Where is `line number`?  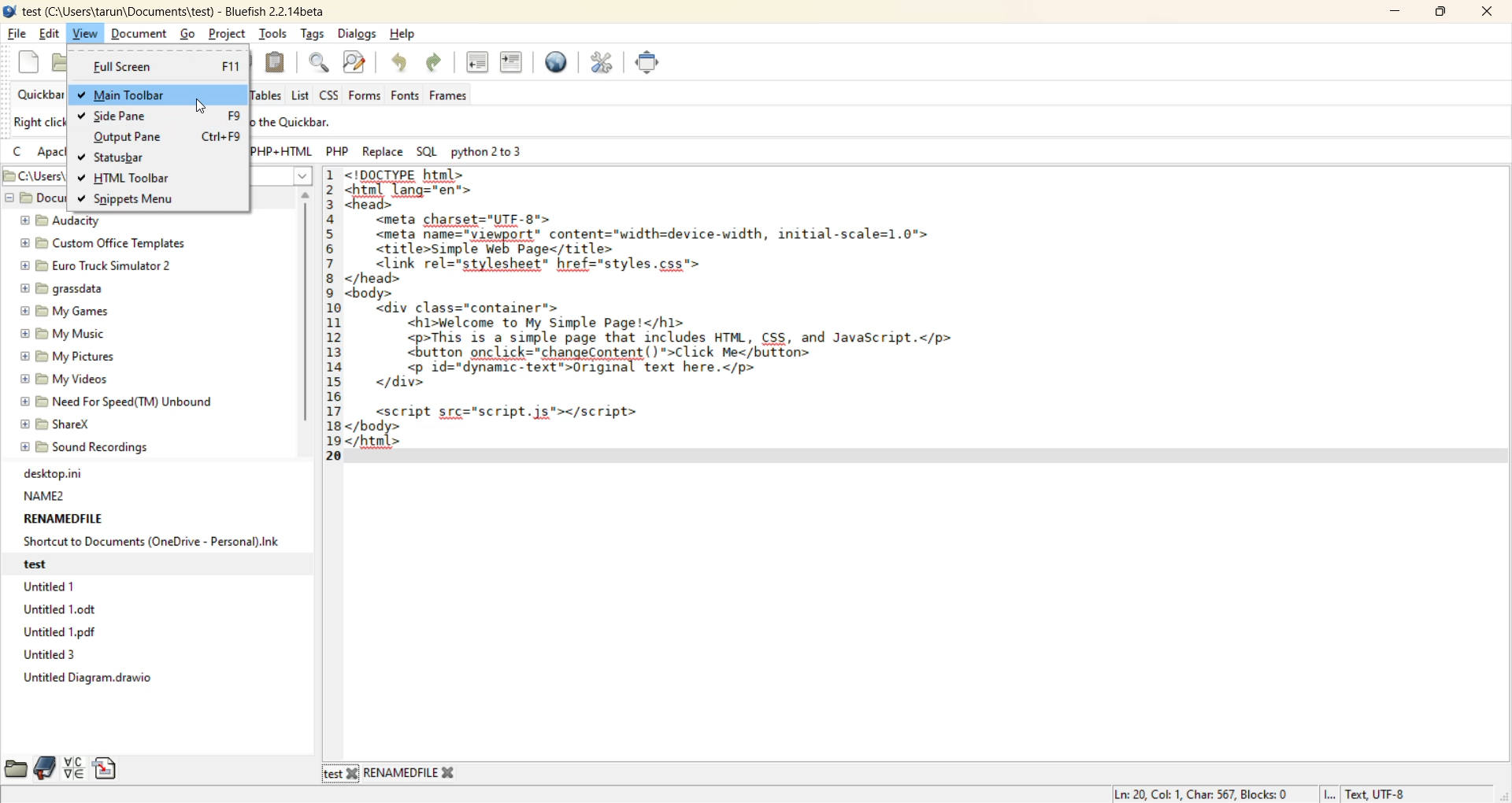 line number is located at coordinates (335, 313).